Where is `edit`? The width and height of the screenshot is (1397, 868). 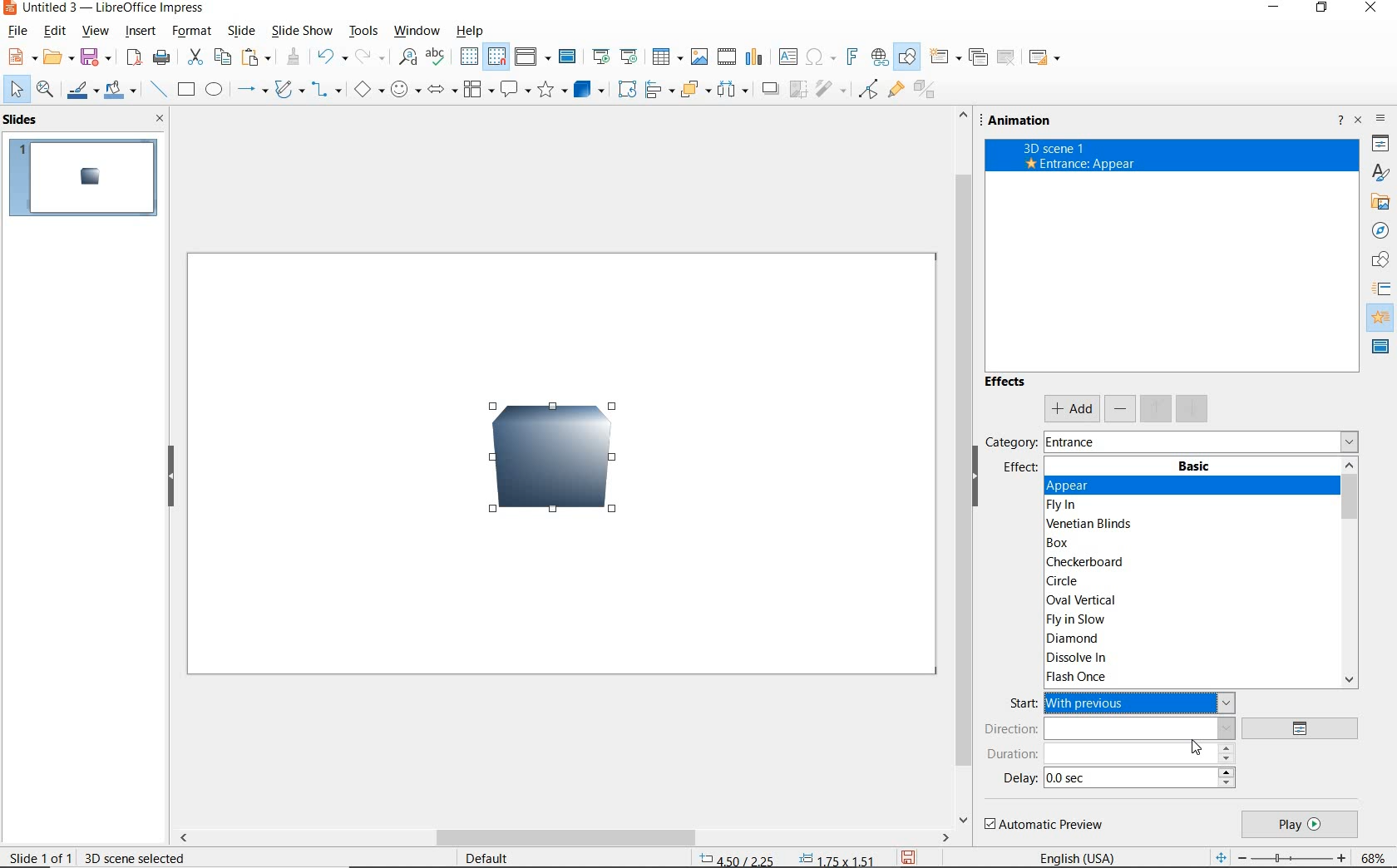
edit is located at coordinates (55, 32).